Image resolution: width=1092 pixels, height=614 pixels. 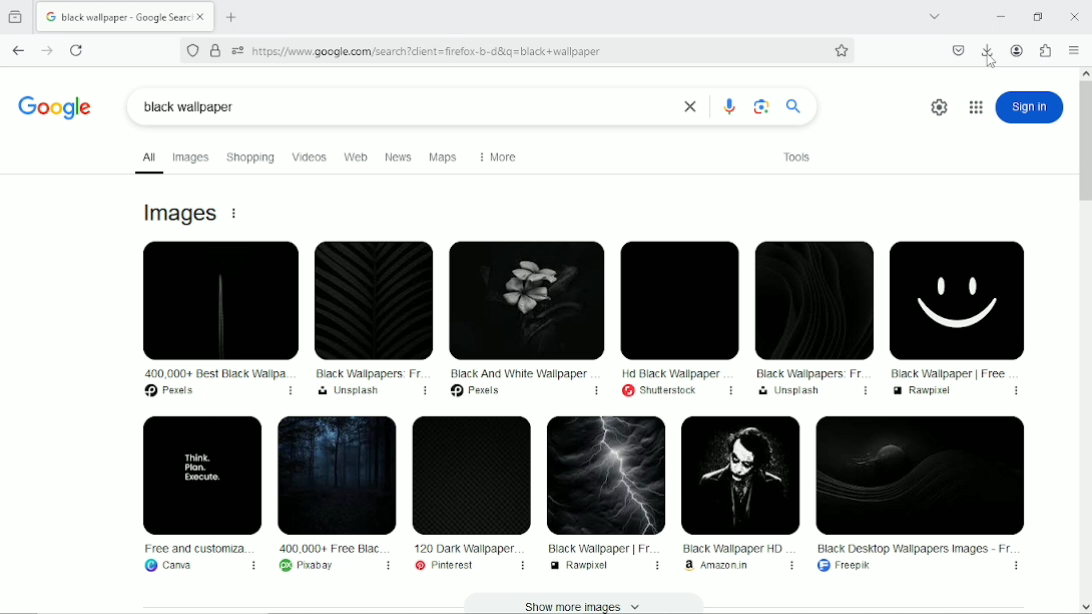 I want to click on Black And White Wallpaper, so click(x=523, y=319).